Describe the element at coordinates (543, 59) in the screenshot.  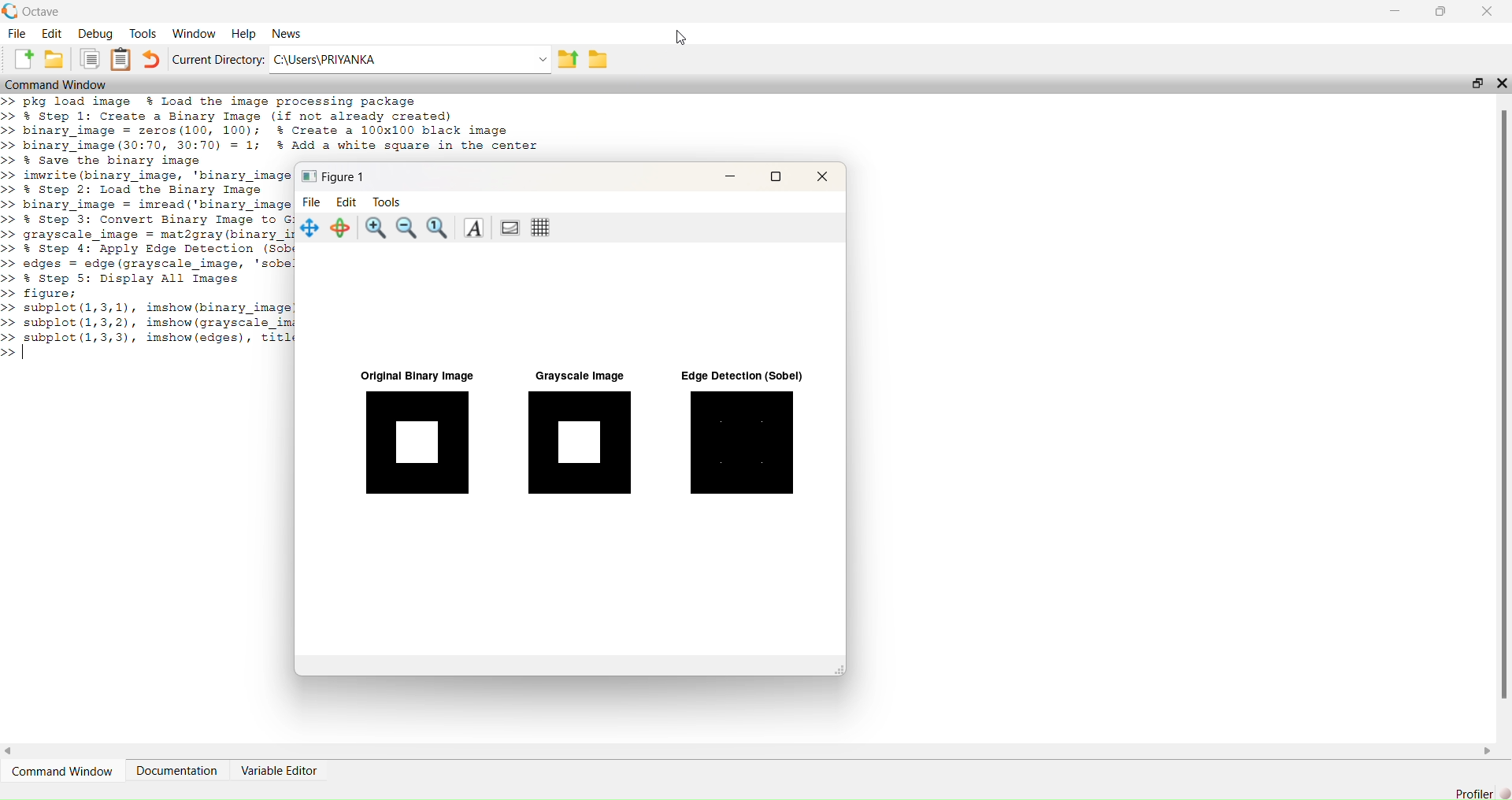
I see `Drop-down ` at that location.